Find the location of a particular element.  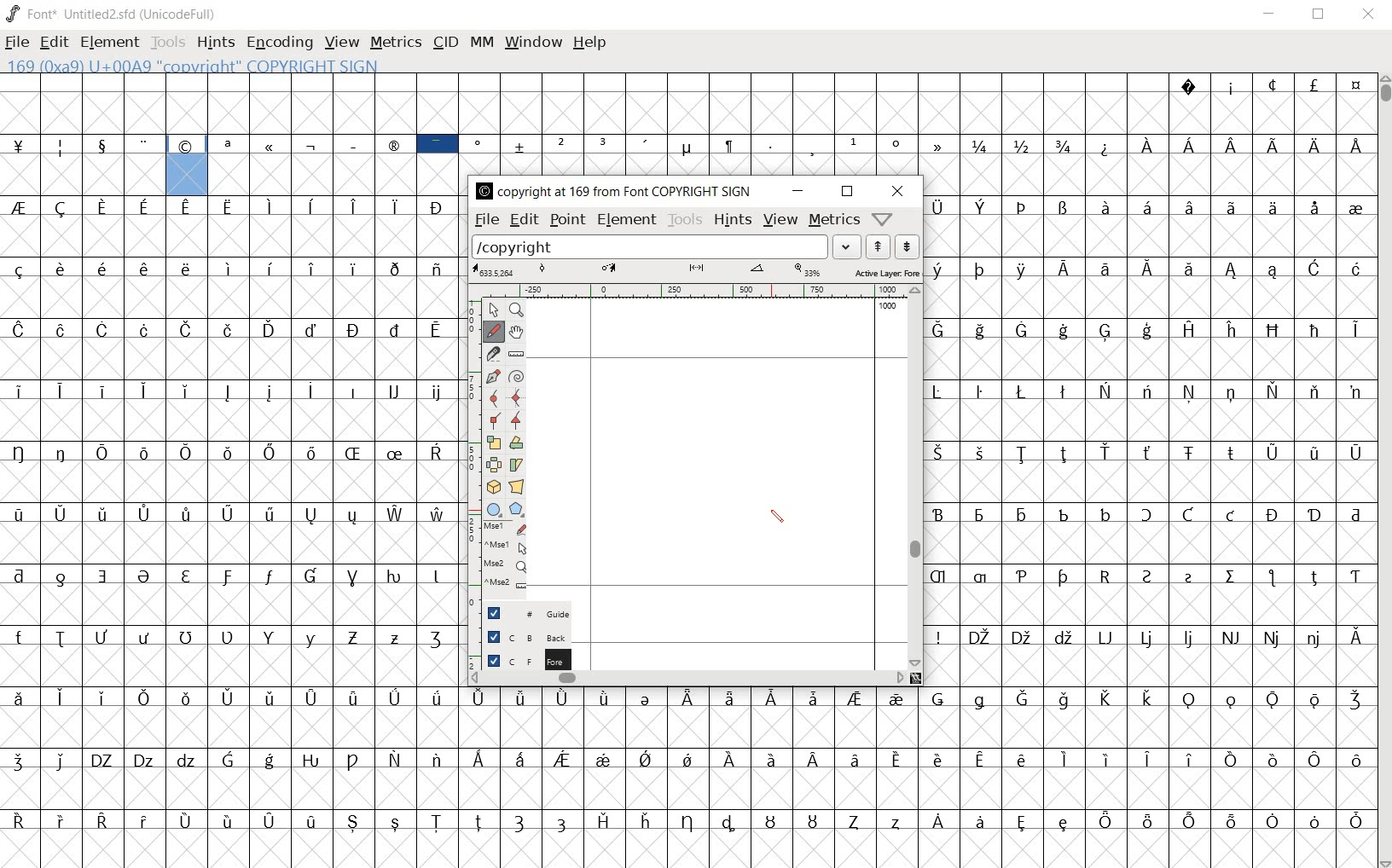

ruler is located at coordinates (694, 291).